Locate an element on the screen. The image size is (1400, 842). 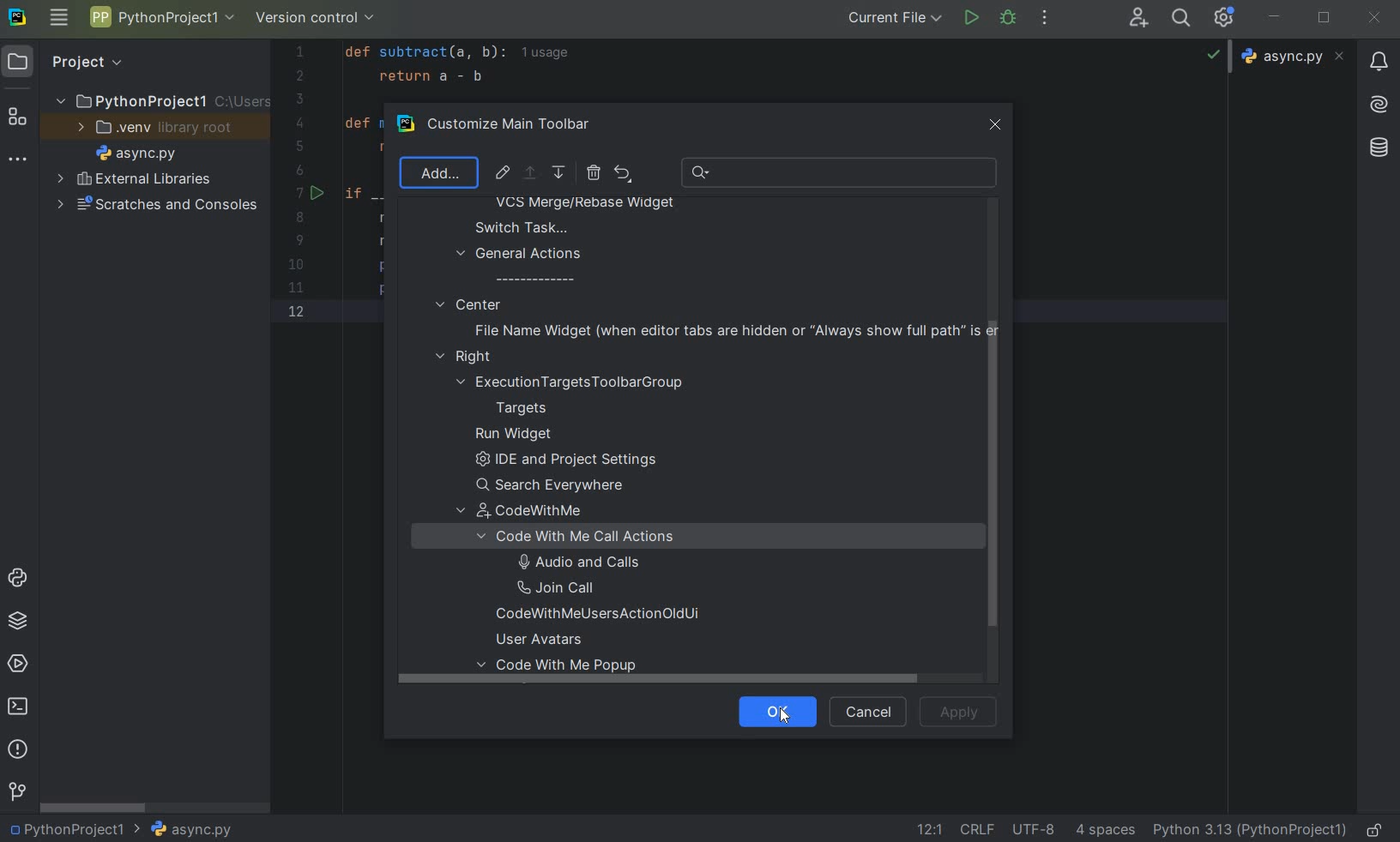
code with me popup is located at coordinates (564, 670).